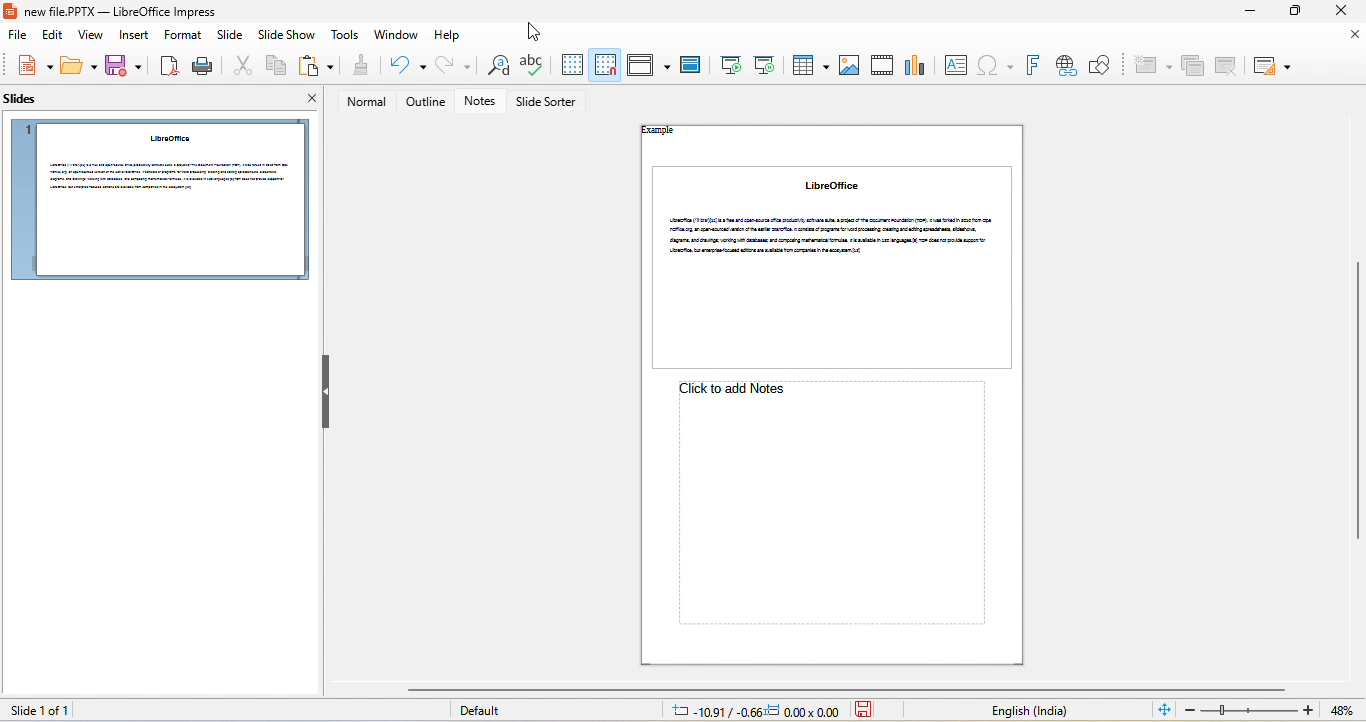 This screenshot has height=722, width=1366. I want to click on export directly as pdf, so click(167, 66).